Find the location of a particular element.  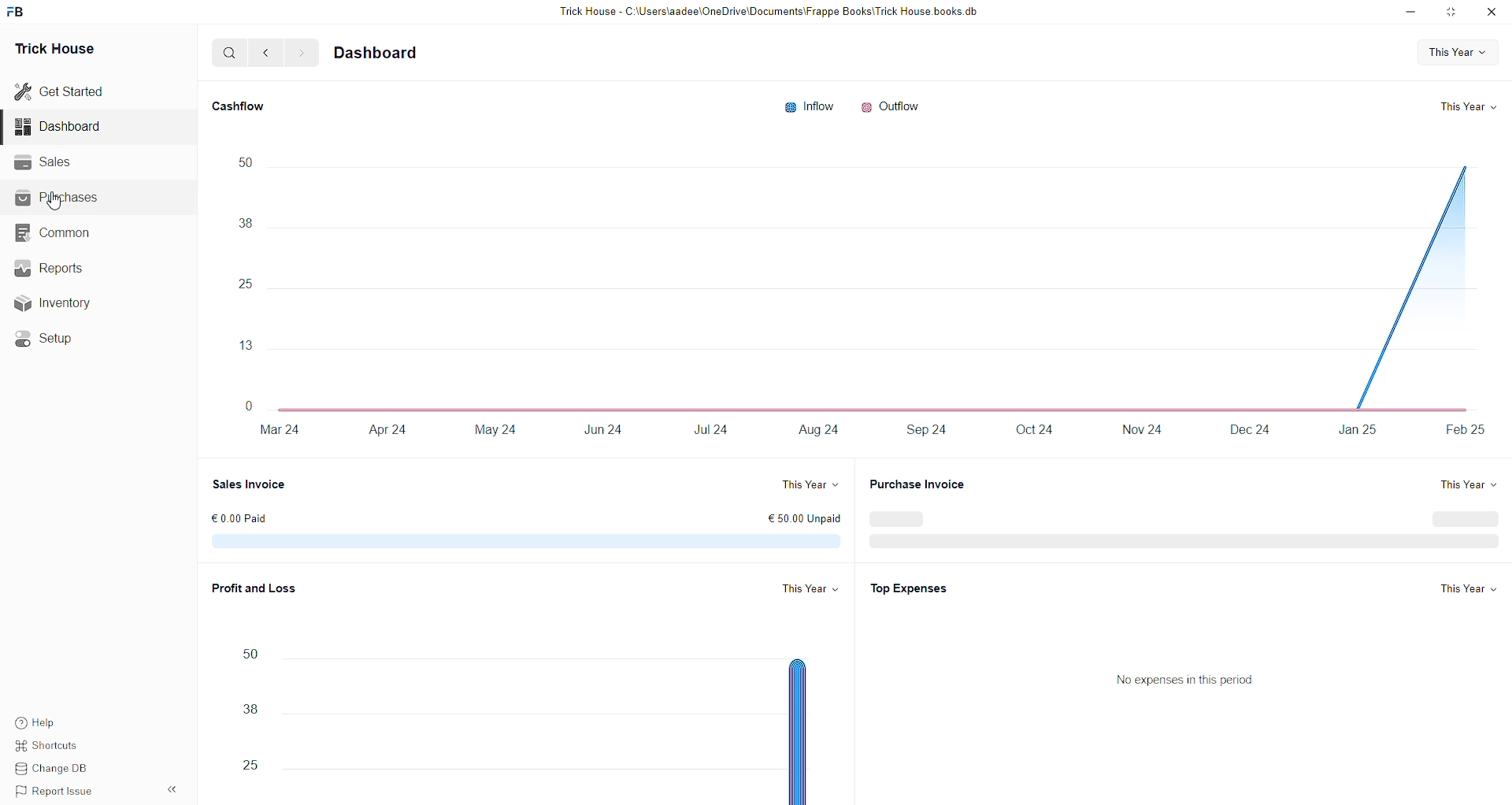

close is located at coordinates (1492, 12).